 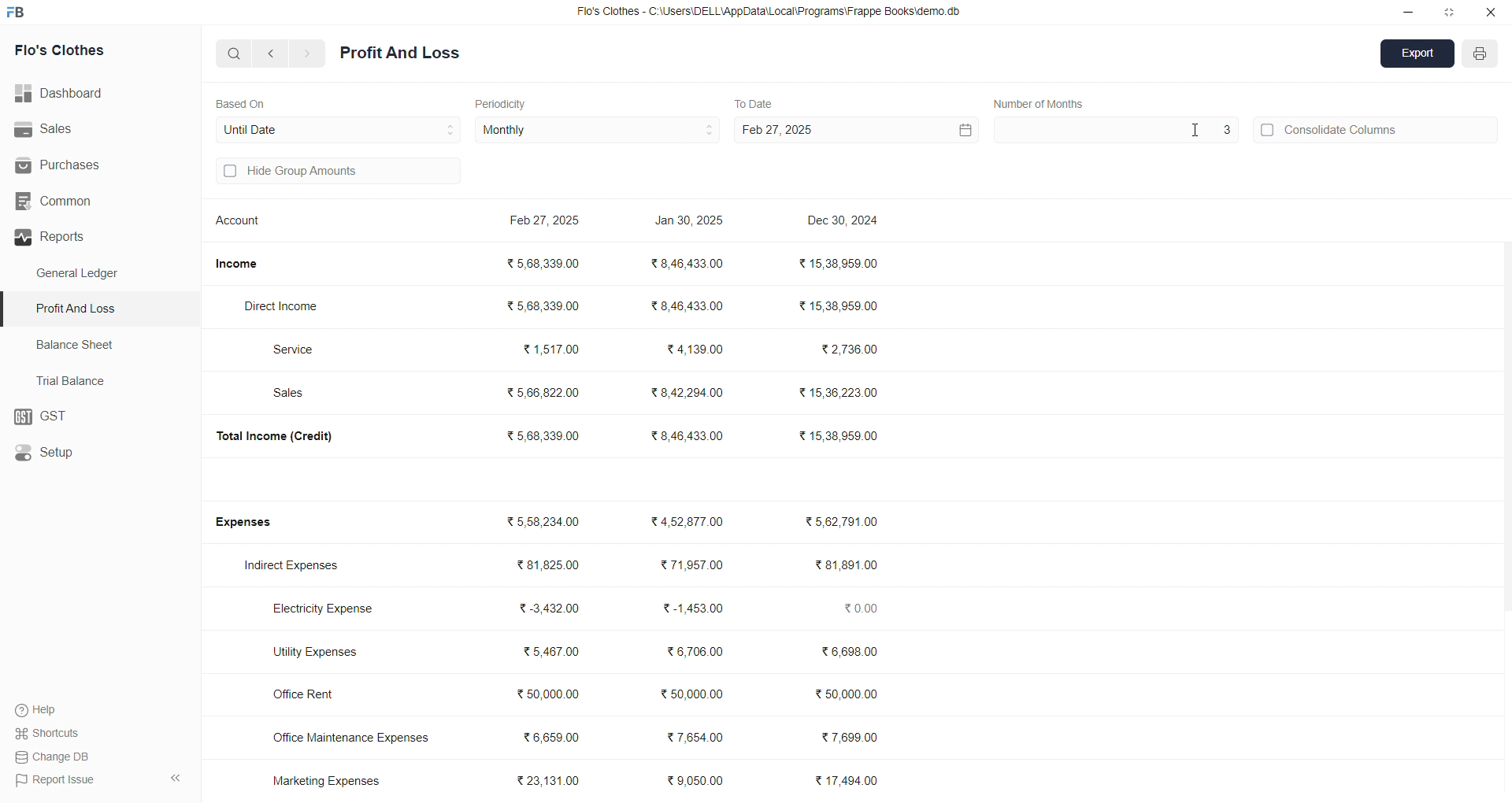 I want to click on Number of Quarters, so click(x=1043, y=103).